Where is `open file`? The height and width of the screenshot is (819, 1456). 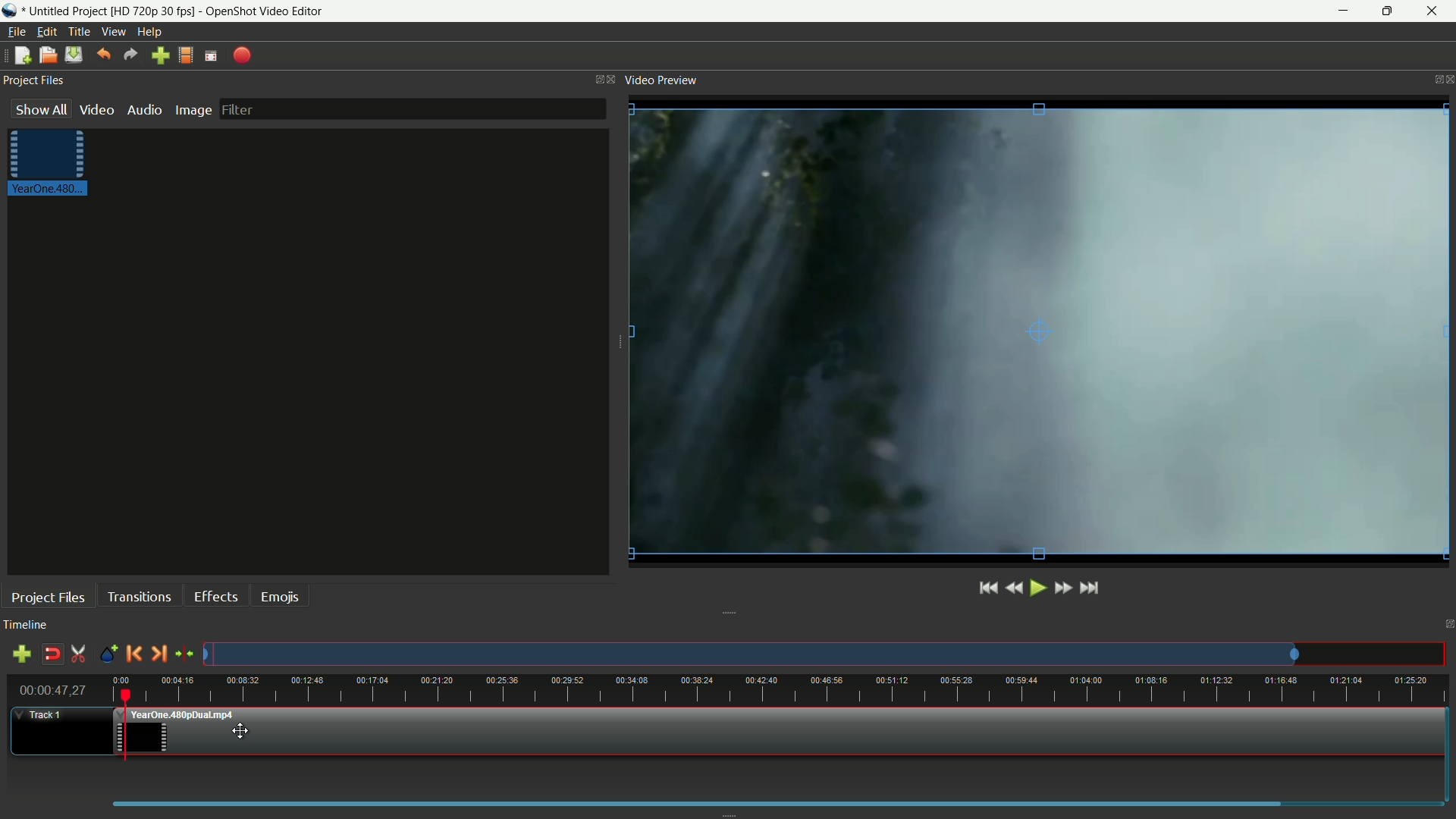
open file is located at coordinates (46, 55).